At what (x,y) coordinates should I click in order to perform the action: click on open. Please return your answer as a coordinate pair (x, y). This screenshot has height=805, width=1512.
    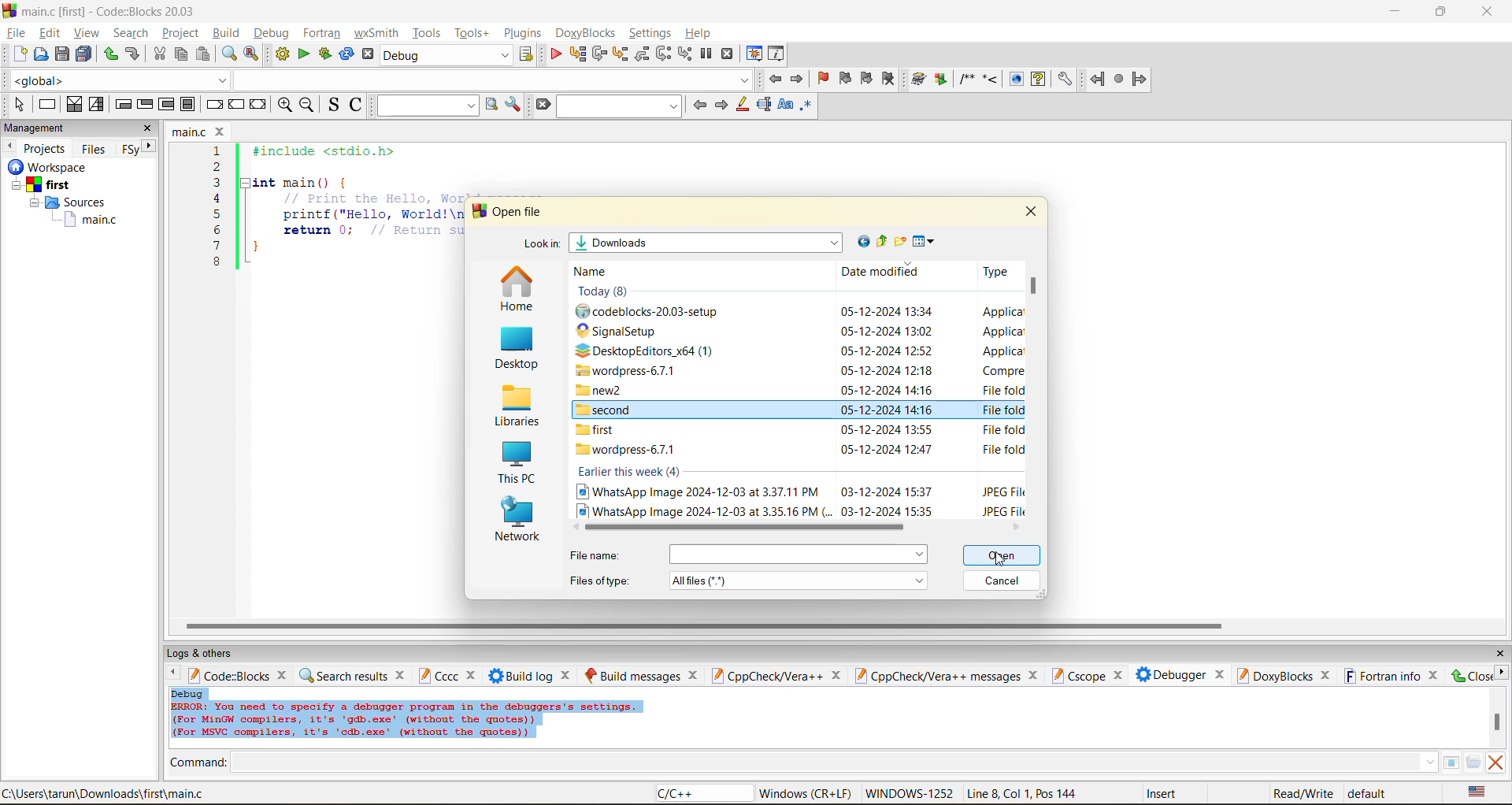
    Looking at the image, I should click on (1004, 555).